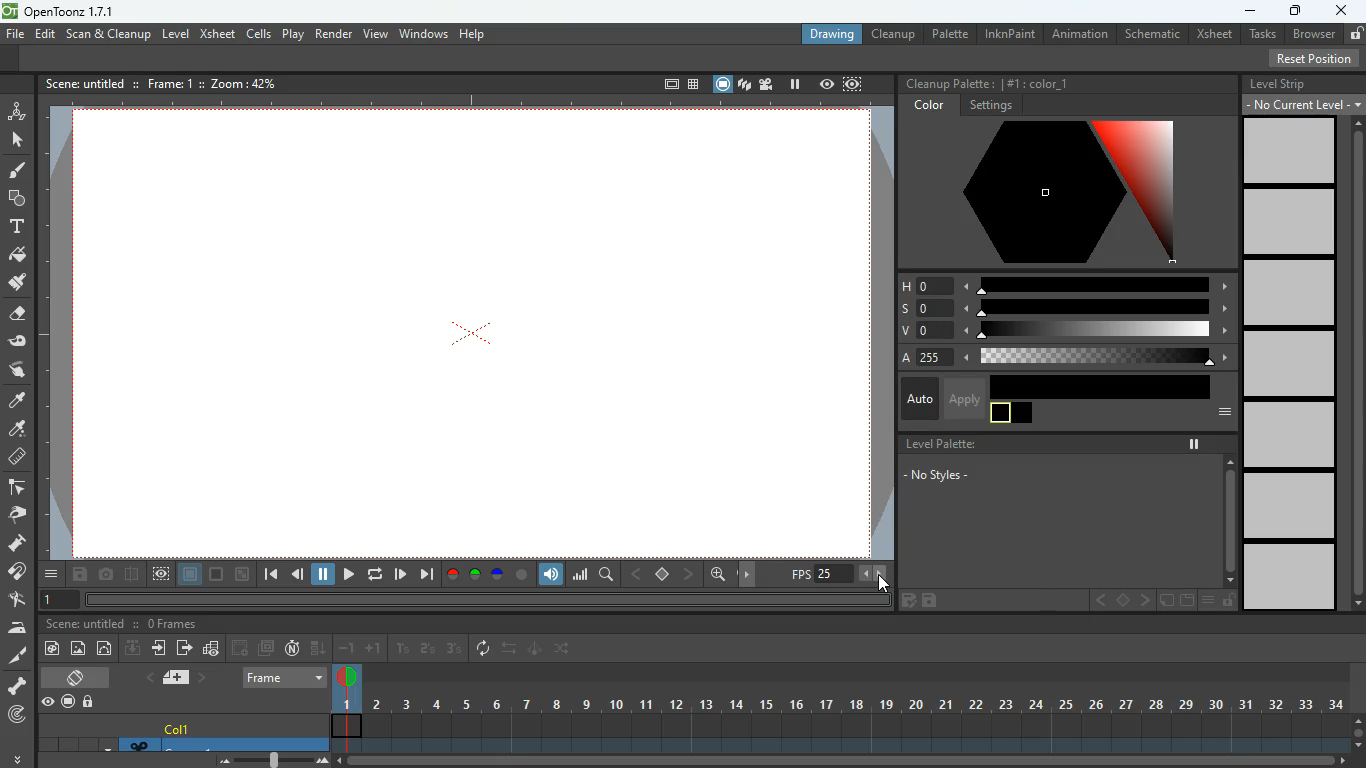 The image size is (1366, 768). What do you see at coordinates (16, 283) in the screenshot?
I see `brush` at bounding box center [16, 283].